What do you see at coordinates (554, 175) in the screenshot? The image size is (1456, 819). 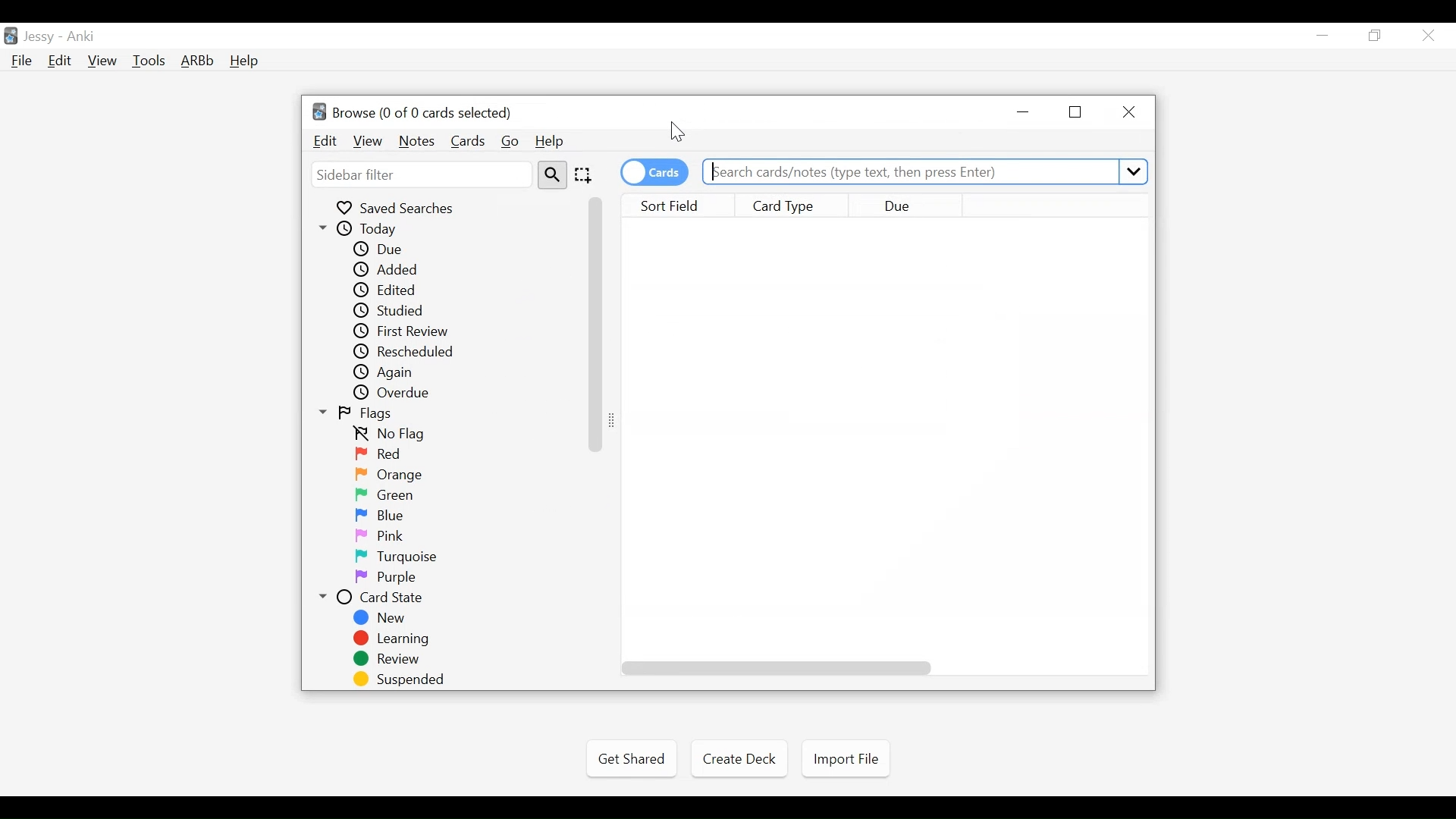 I see `Search Tool` at bounding box center [554, 175].